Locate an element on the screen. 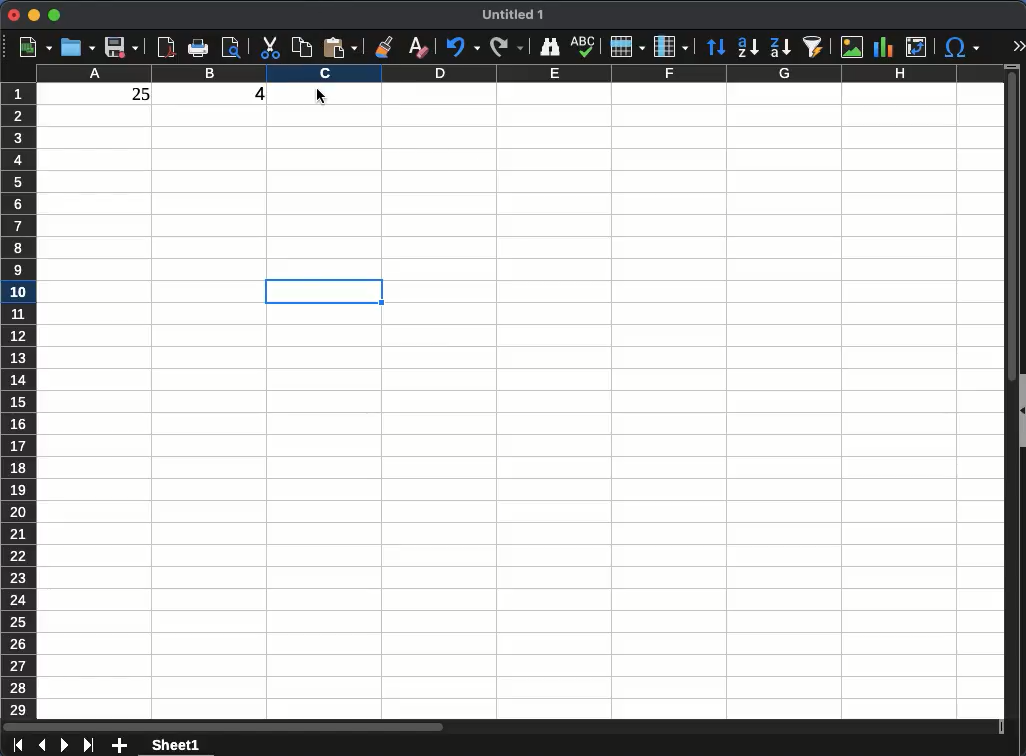 Image resolution: width=1026 pixels, height=756 pixels. cut is located at coordinates (269, 49).